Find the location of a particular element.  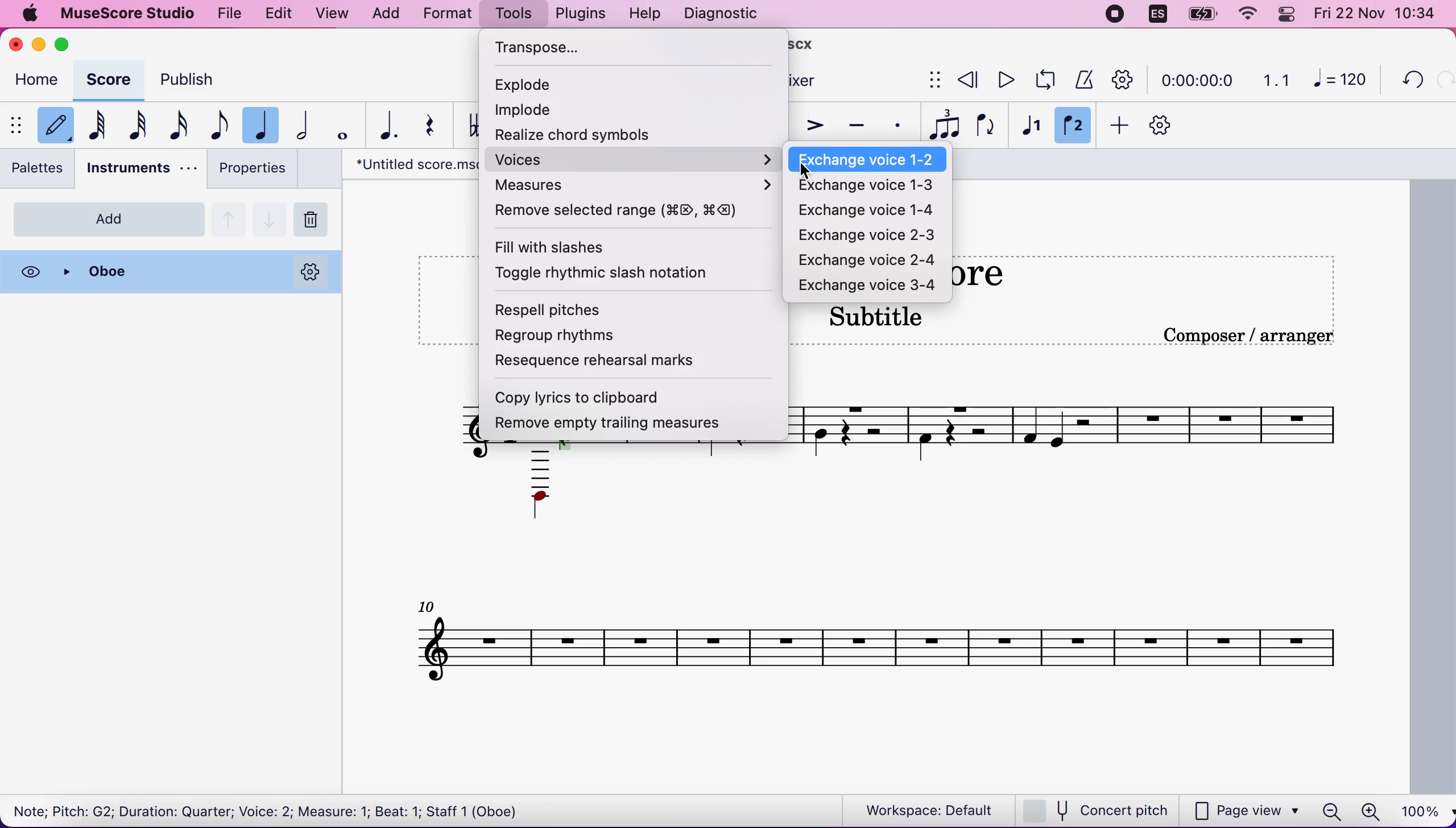

exchange voice 3-4 is located at coordinates (872, 286).